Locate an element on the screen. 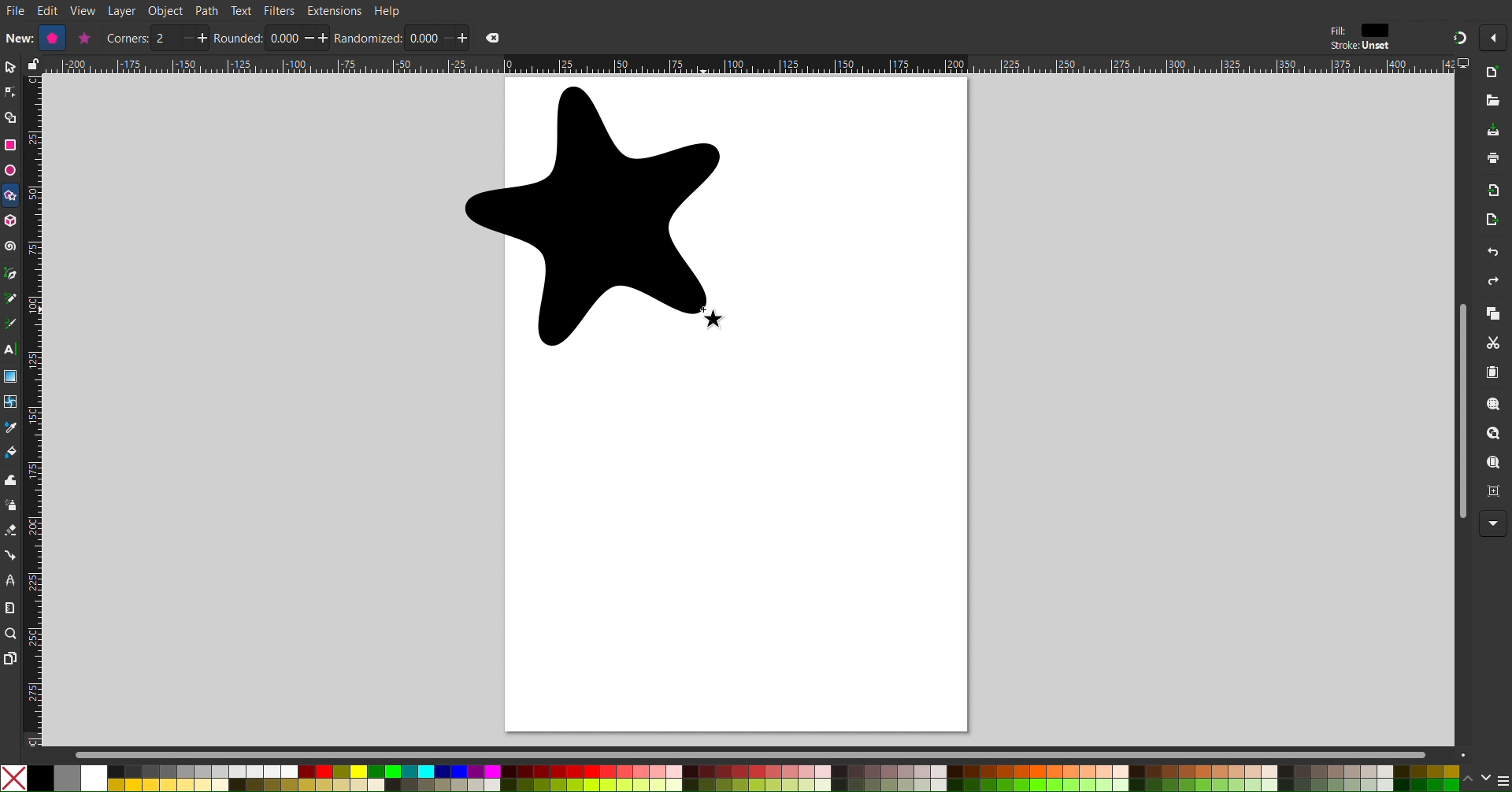  Copy is located at coordinates (1493, 315).